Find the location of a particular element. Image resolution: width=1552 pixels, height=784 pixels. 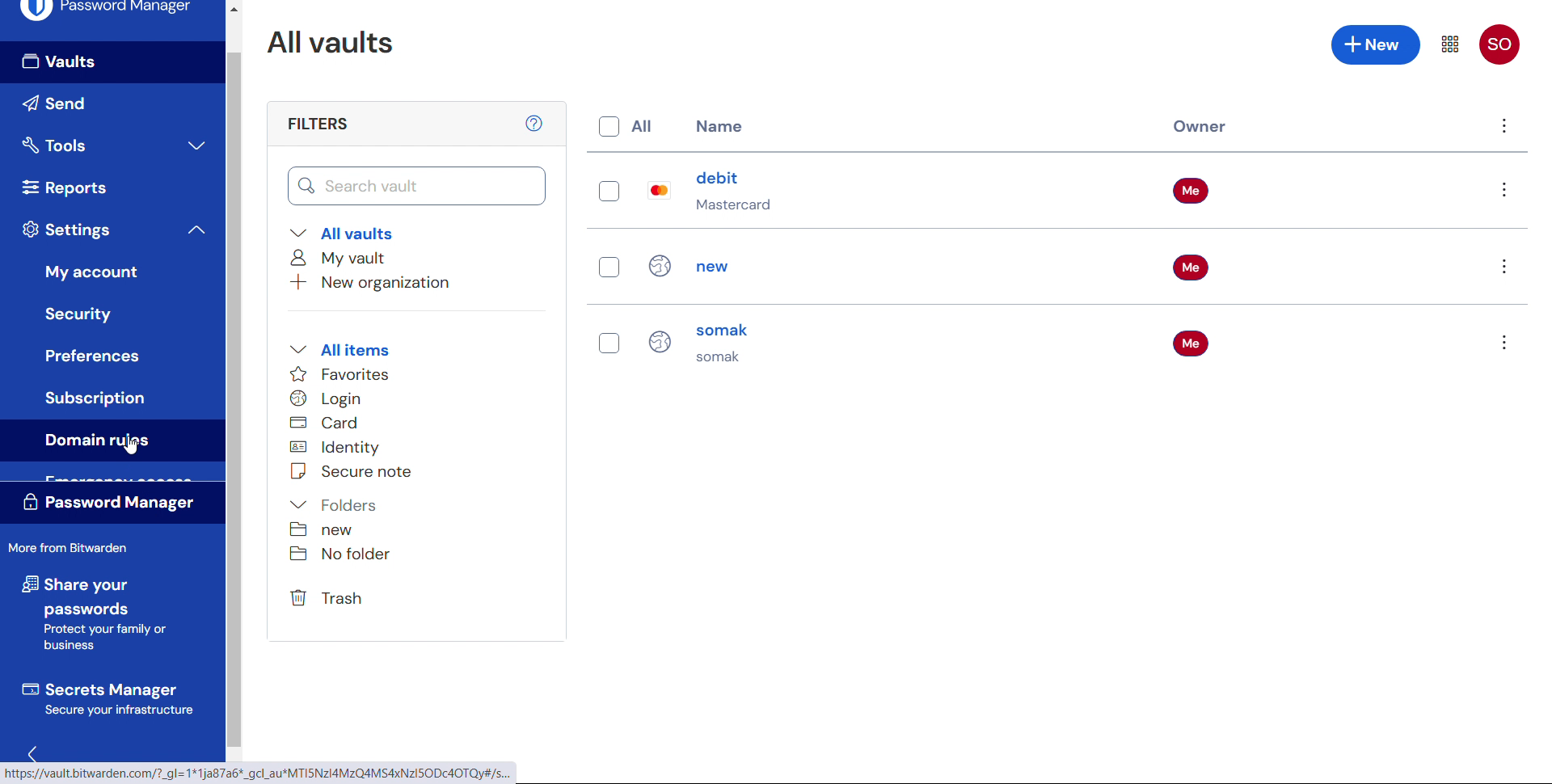

Options for entry "somak" is located at coordinates (1503, 342).